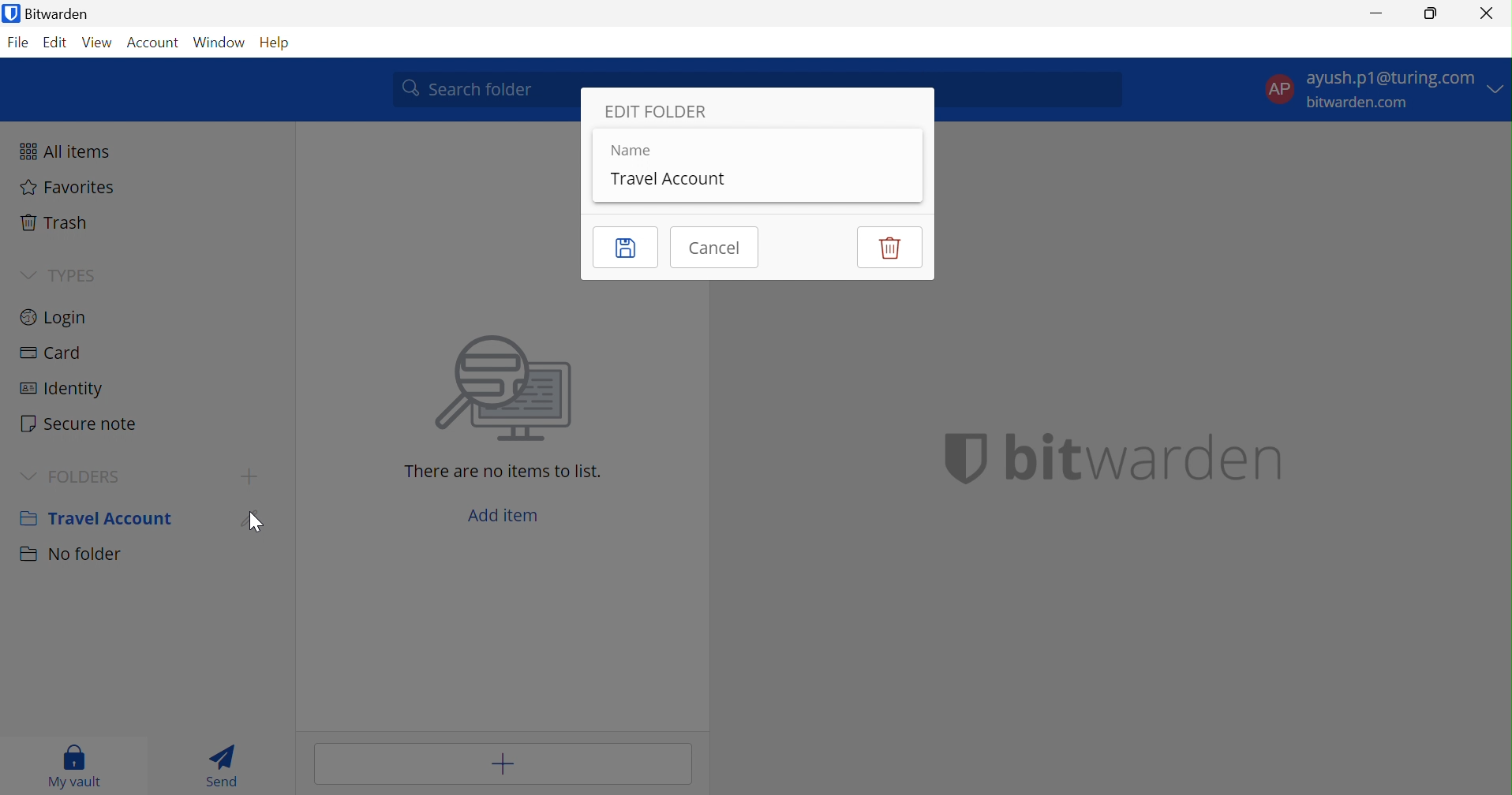 Image resolution: width=1512 pixels, height=795 pixels. What do you see at coordinates (96, 517) in the screenshot?
I see `Travel Account` at bounding box center [96, 517].